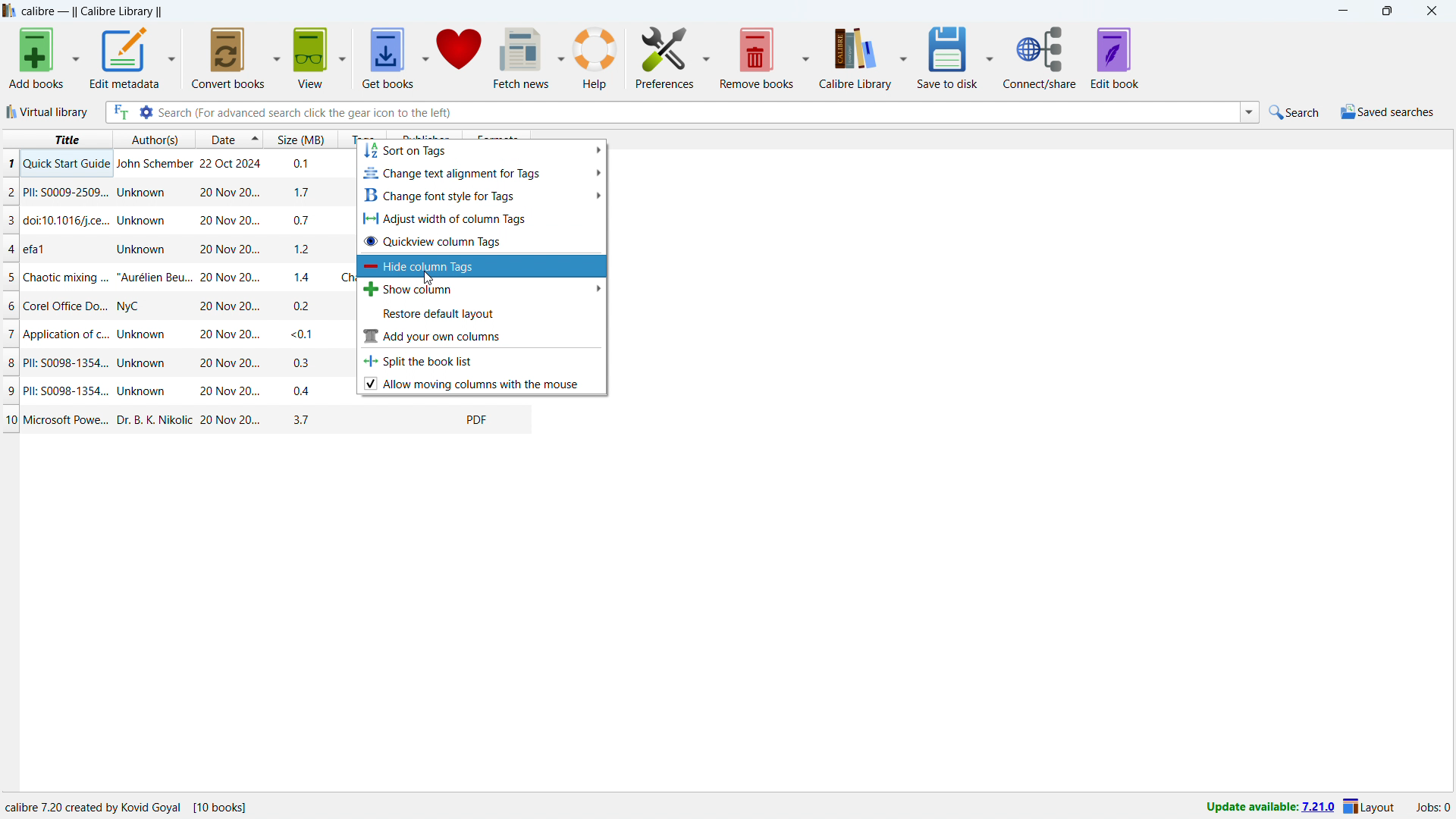 The width and height of the screenshot is (1456, 819). Describe the element at coordinates (483, 171) in the screenshot. I see `change text alignment for tags` at that location.